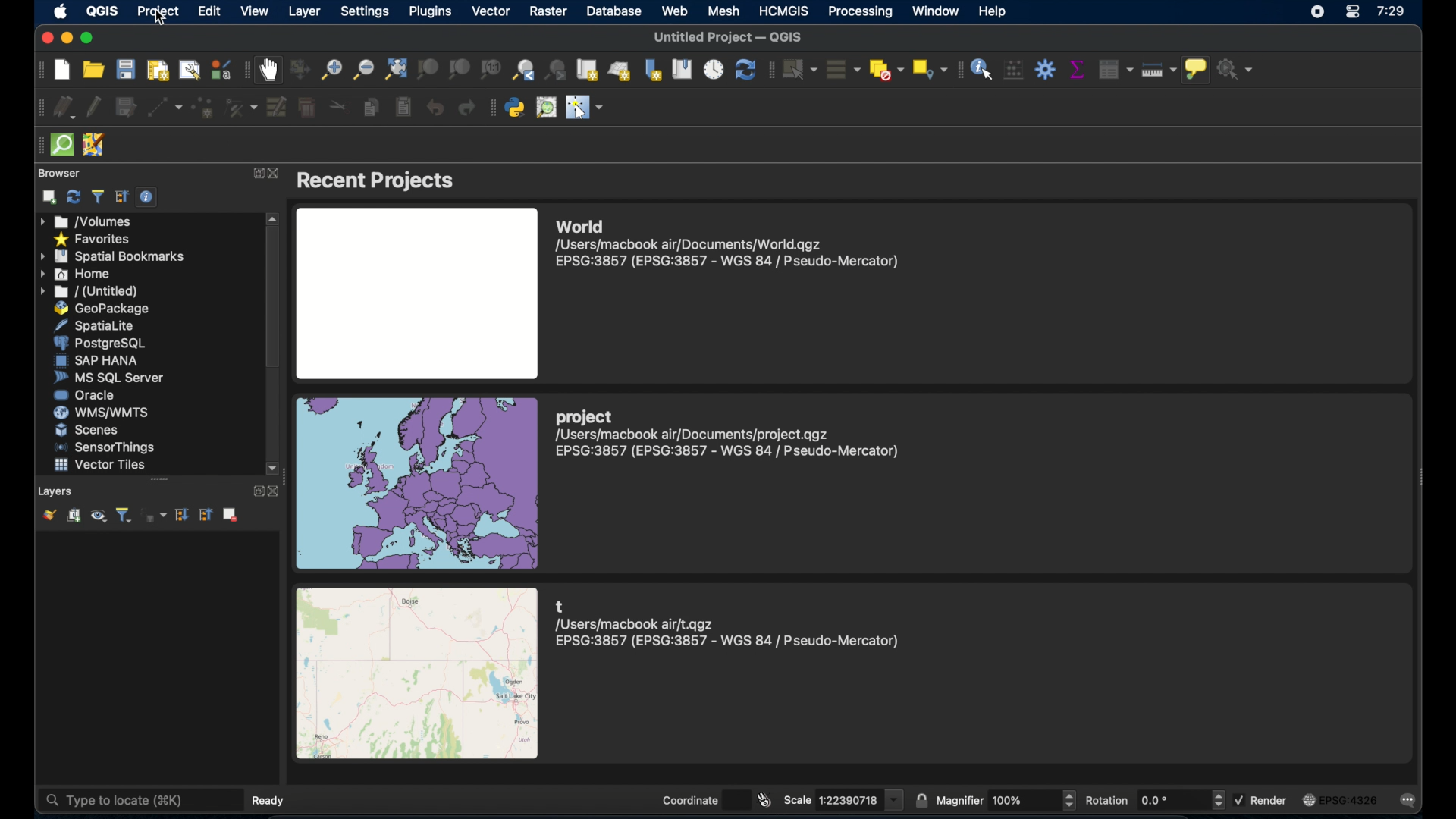  I want to click on digitizing toolbar, so click(39, 108).